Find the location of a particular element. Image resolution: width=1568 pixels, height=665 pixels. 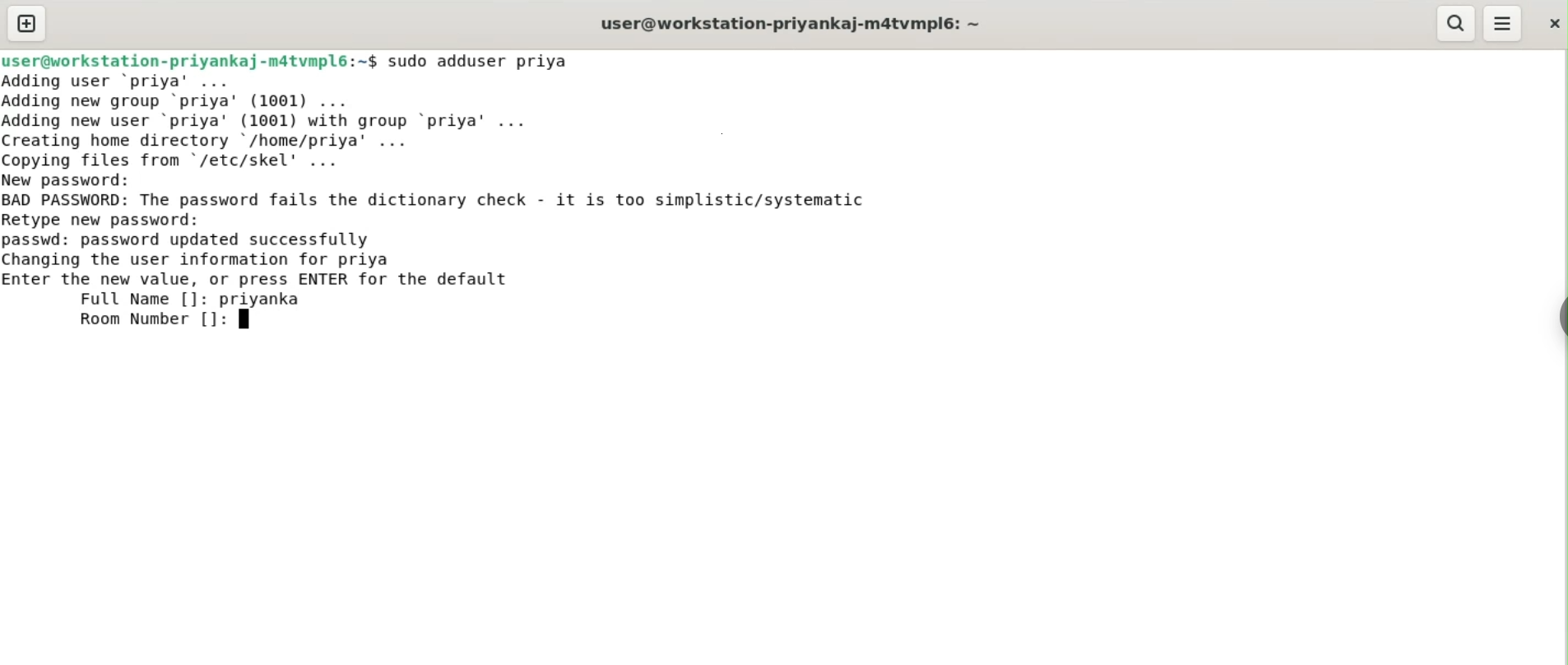

new tab is located at coordinates (26, 23).